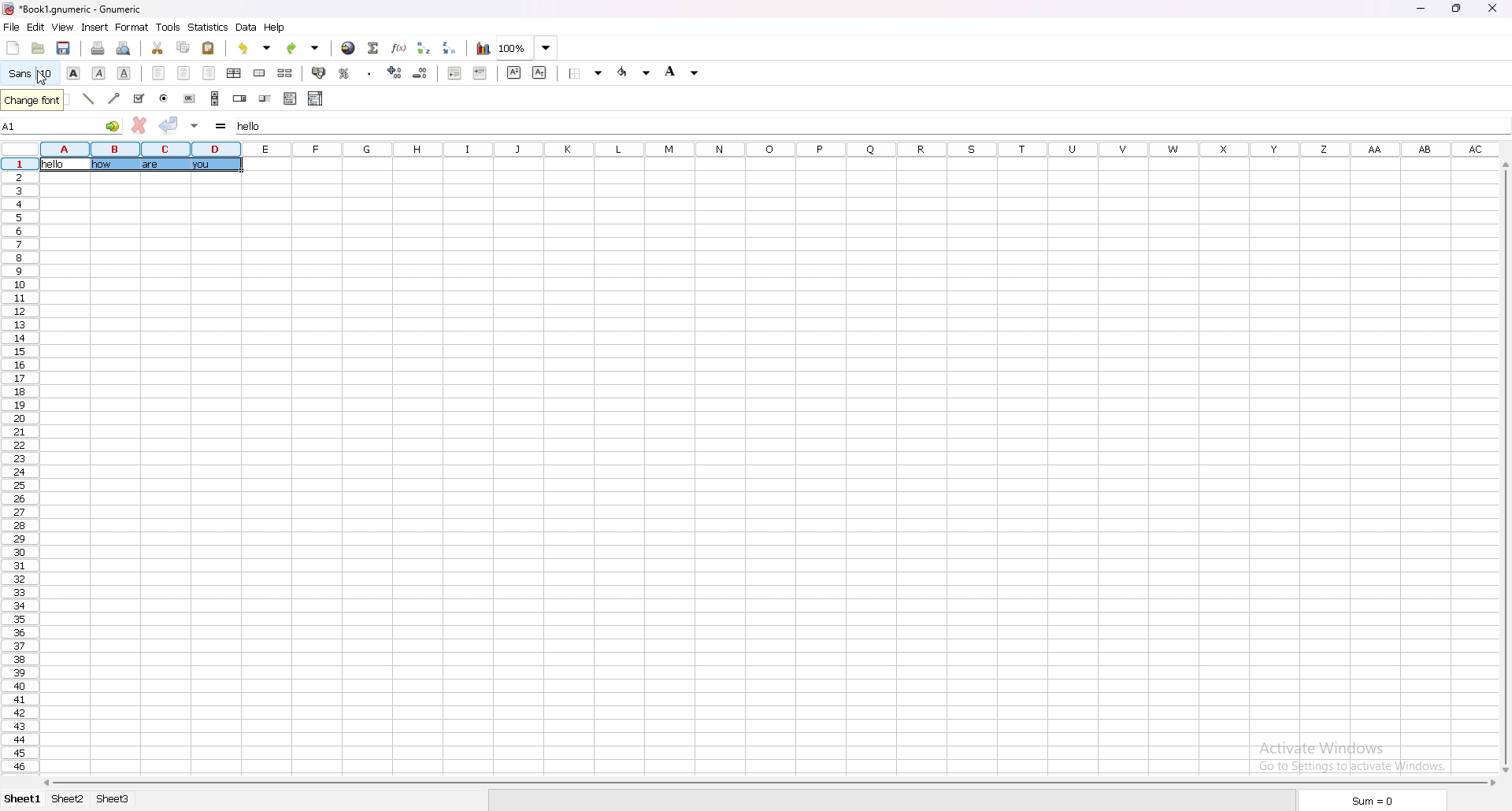  What do you see at coordinates (169, 27) in the screenshot?
I see `tools` at bounding box center [169, 27].